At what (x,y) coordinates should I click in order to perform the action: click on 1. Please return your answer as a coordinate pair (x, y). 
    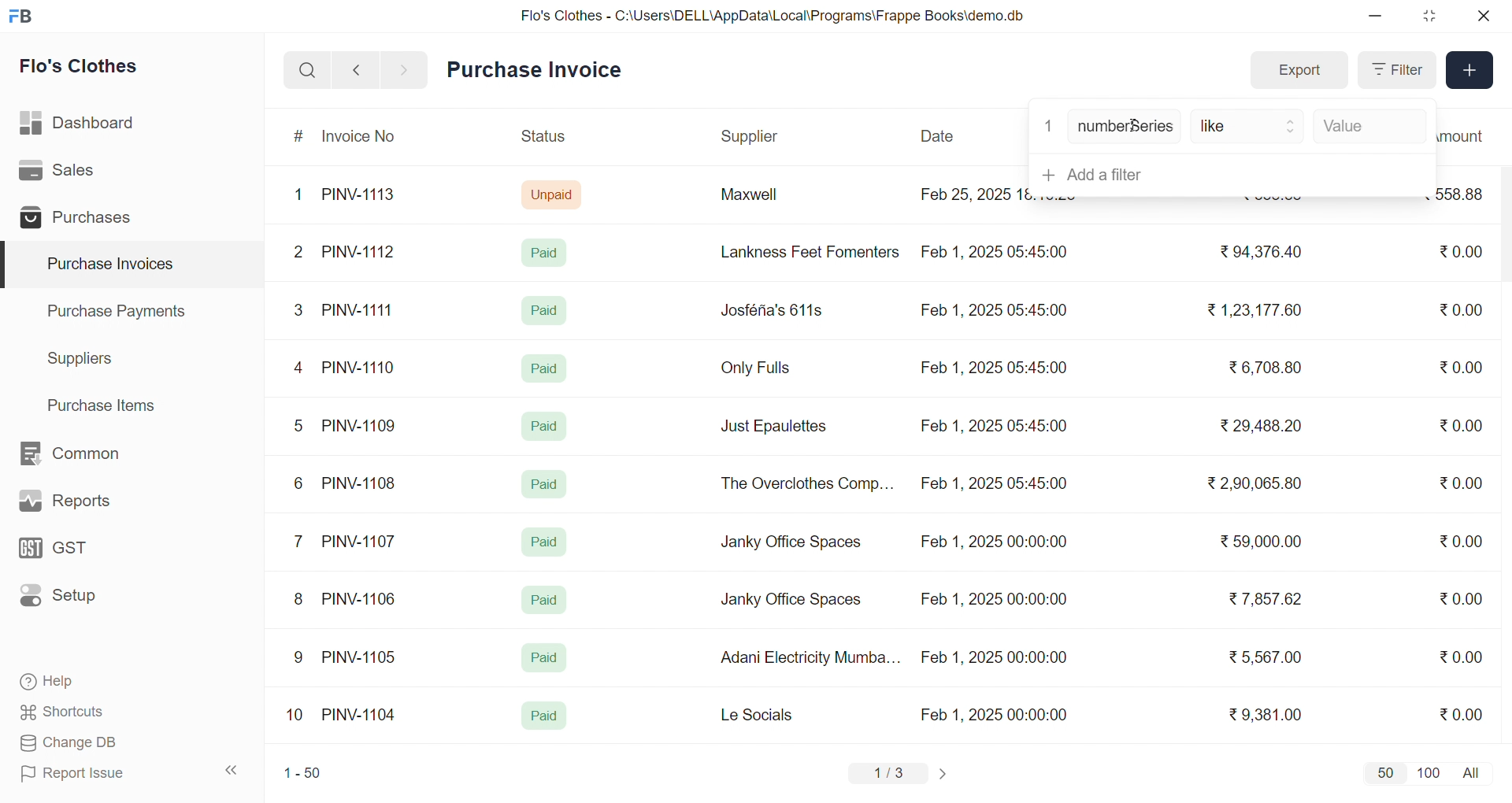
    Looking at the image, I should click on (1048, 124).